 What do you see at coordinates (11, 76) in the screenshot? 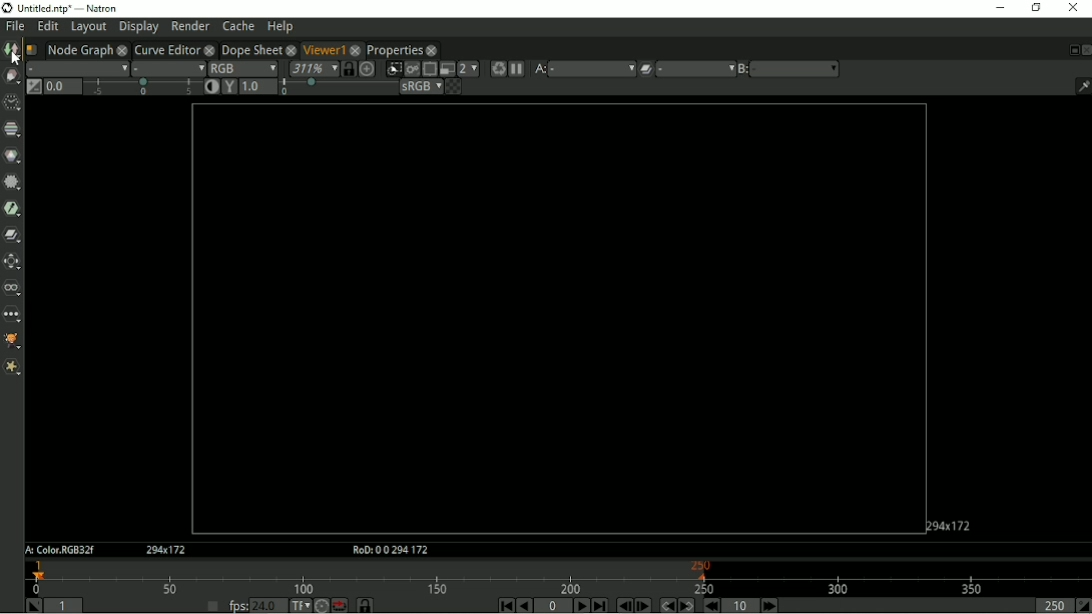
I see `Draw` at bounding box center [11, 76].